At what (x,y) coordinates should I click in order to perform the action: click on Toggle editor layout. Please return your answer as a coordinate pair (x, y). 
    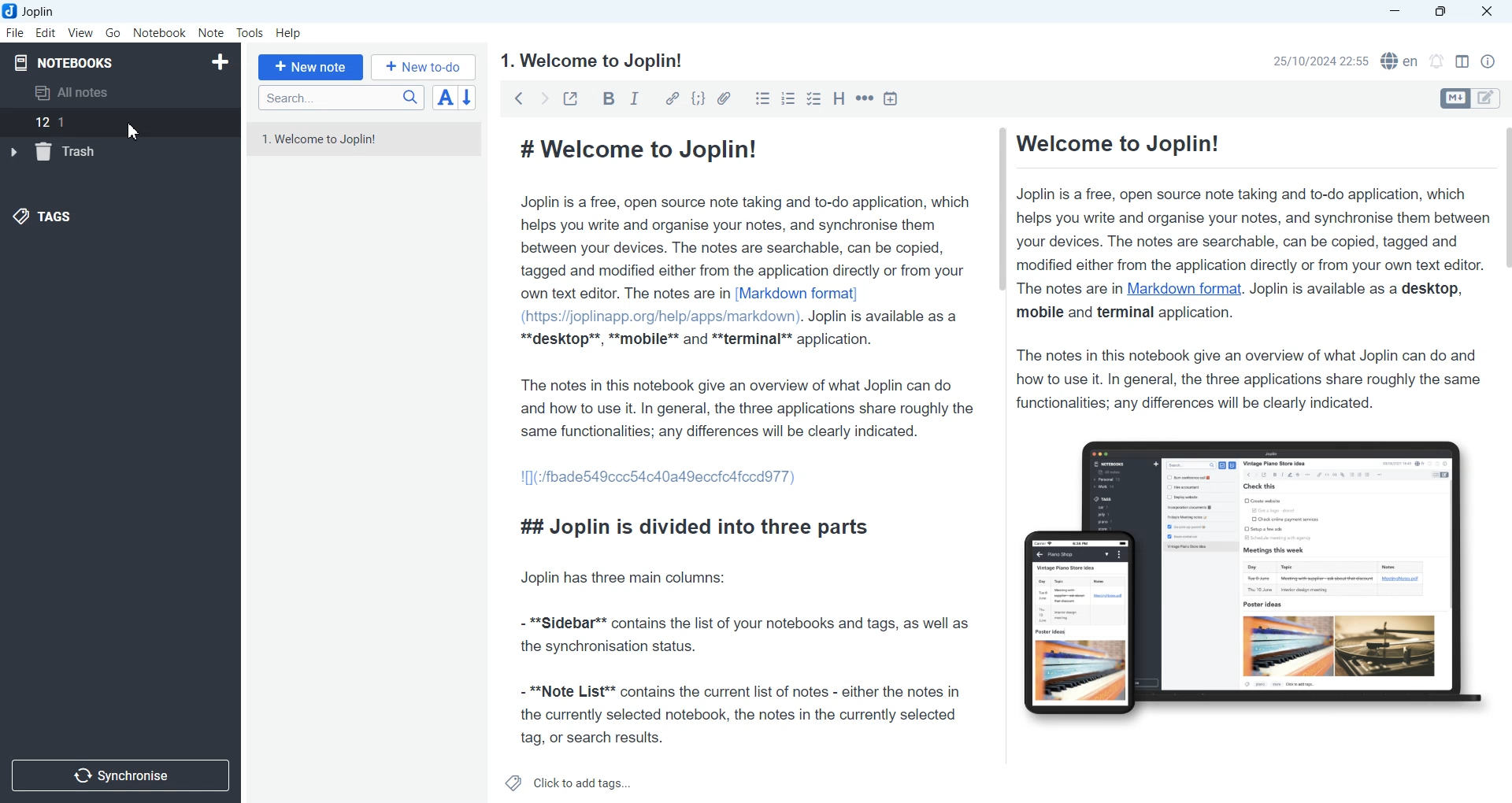
    Looking at the image, I should click on (1462, 61).